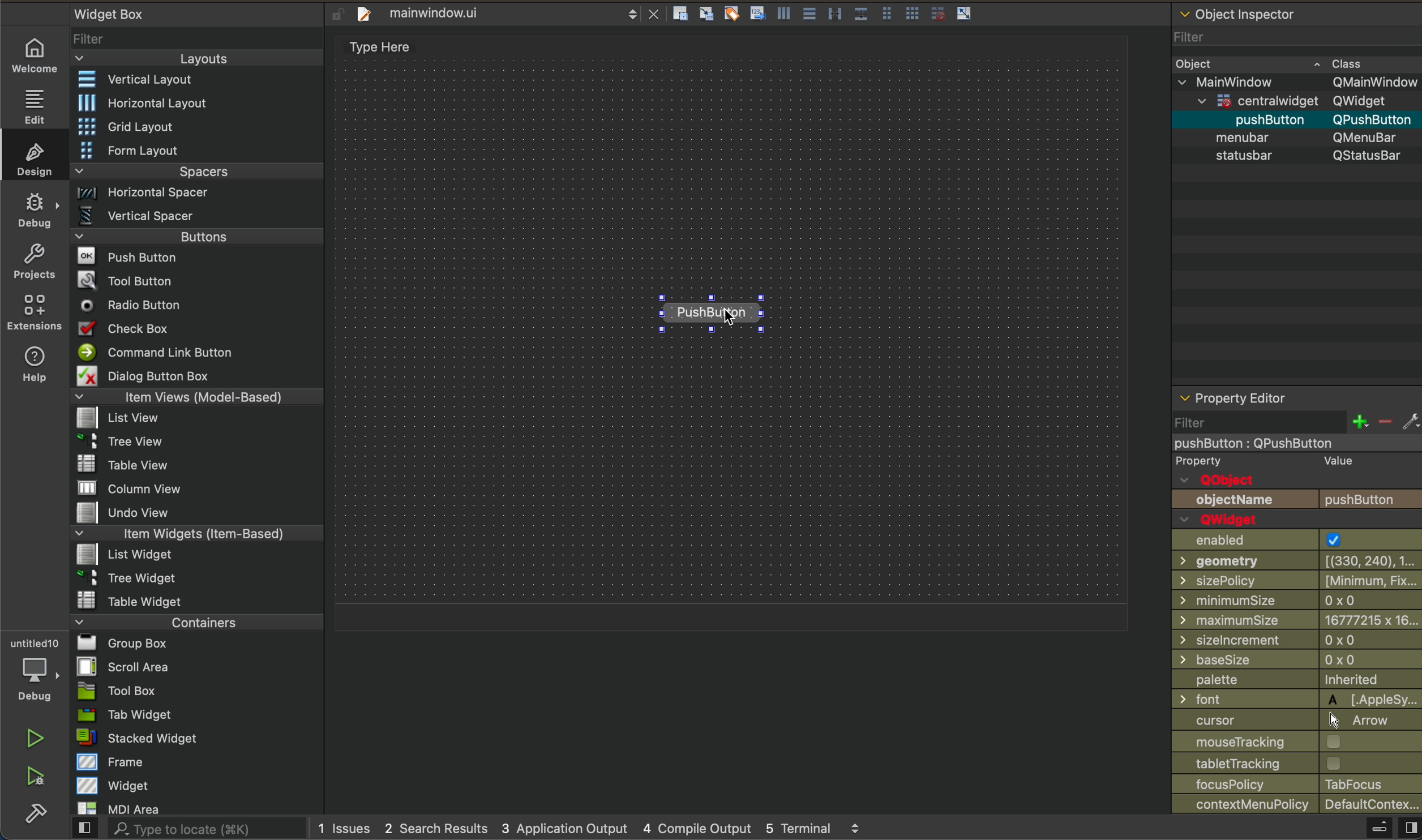 The width and height of the screenshot is (1422, 840). I want to click on push button, so click(1297, 501).